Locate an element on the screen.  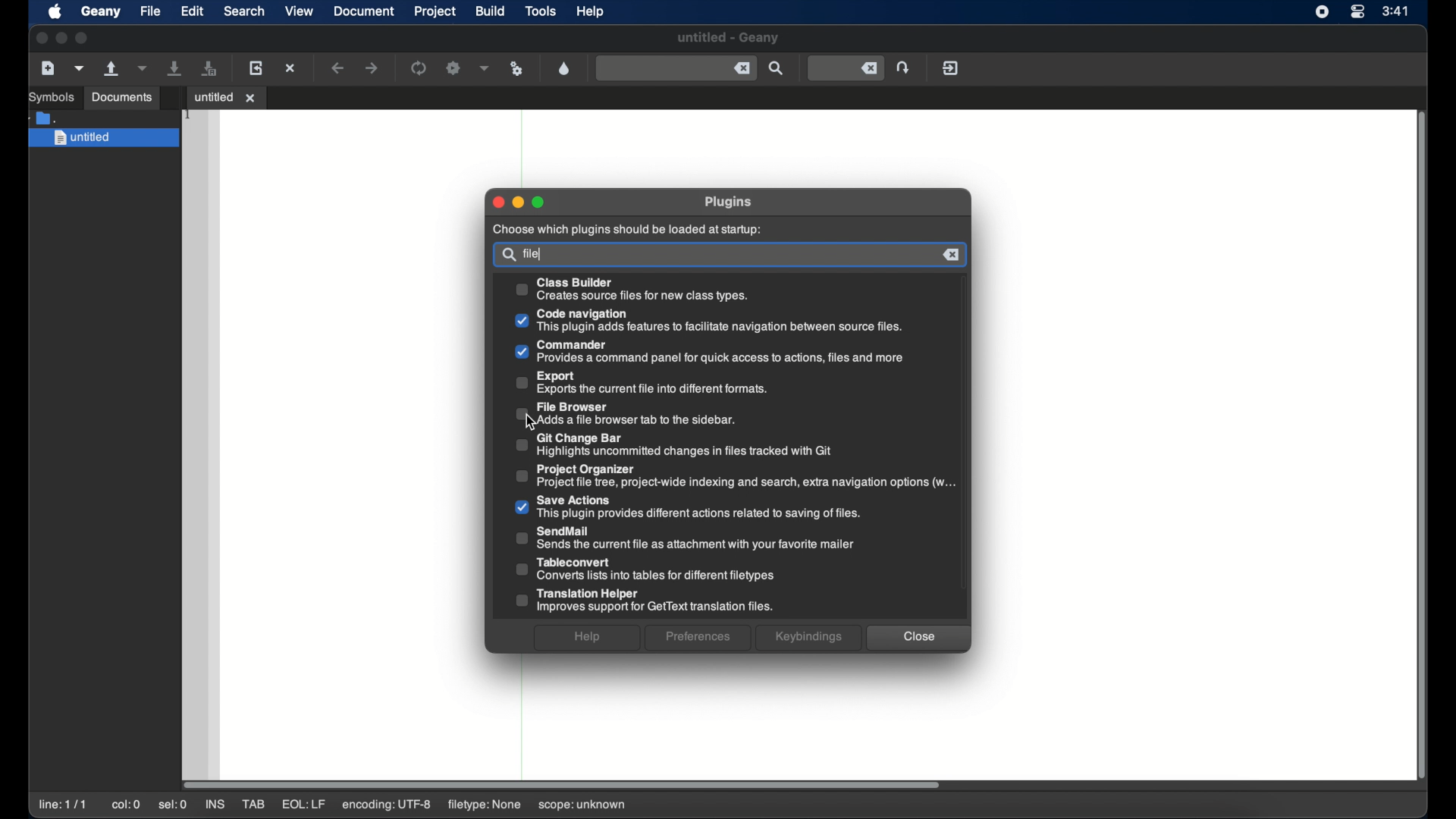
file is located at coordinates (535, 253).